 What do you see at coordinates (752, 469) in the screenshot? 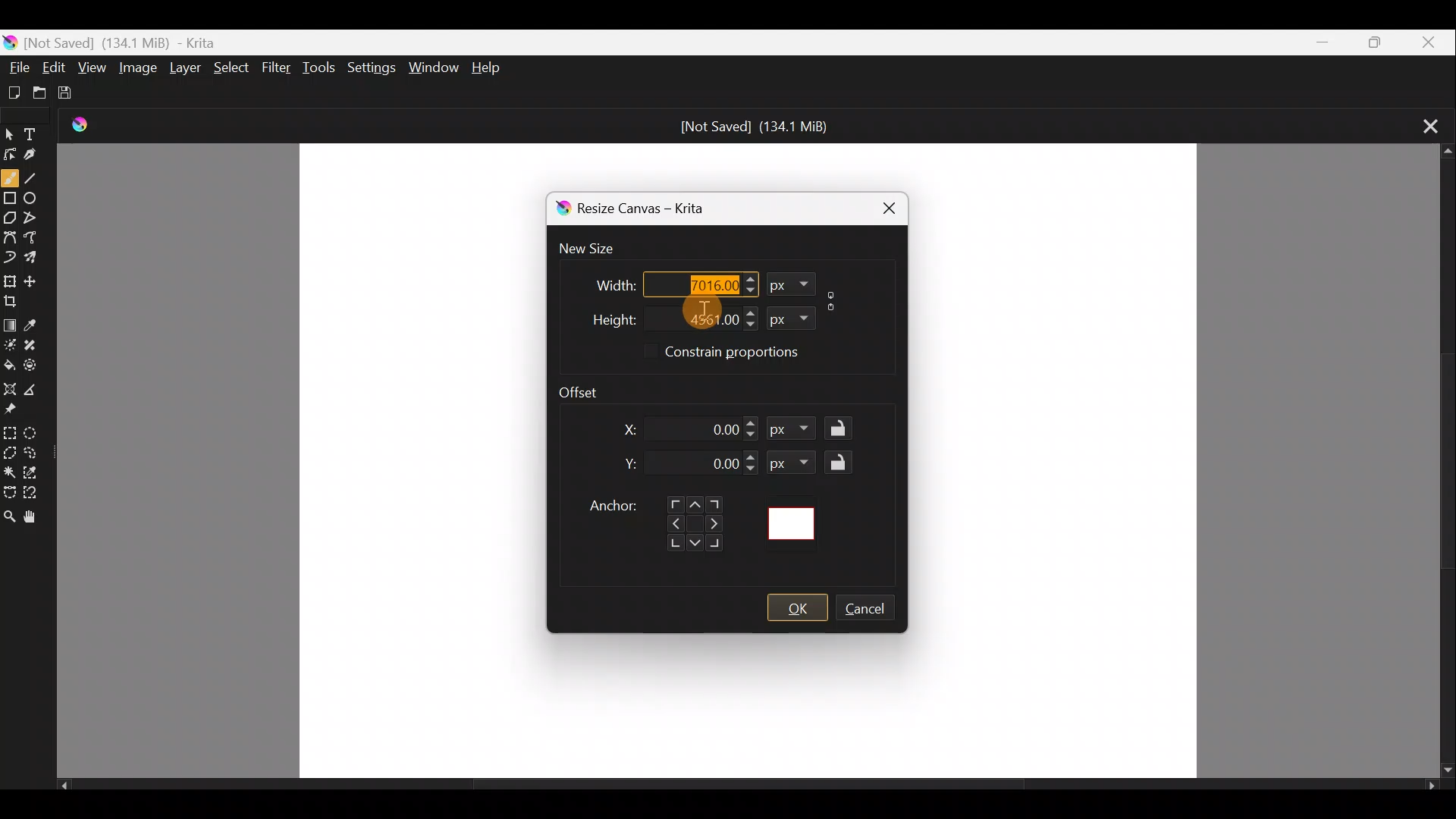
I see `Decrease Y dimension` at bounding box center [752, 469].